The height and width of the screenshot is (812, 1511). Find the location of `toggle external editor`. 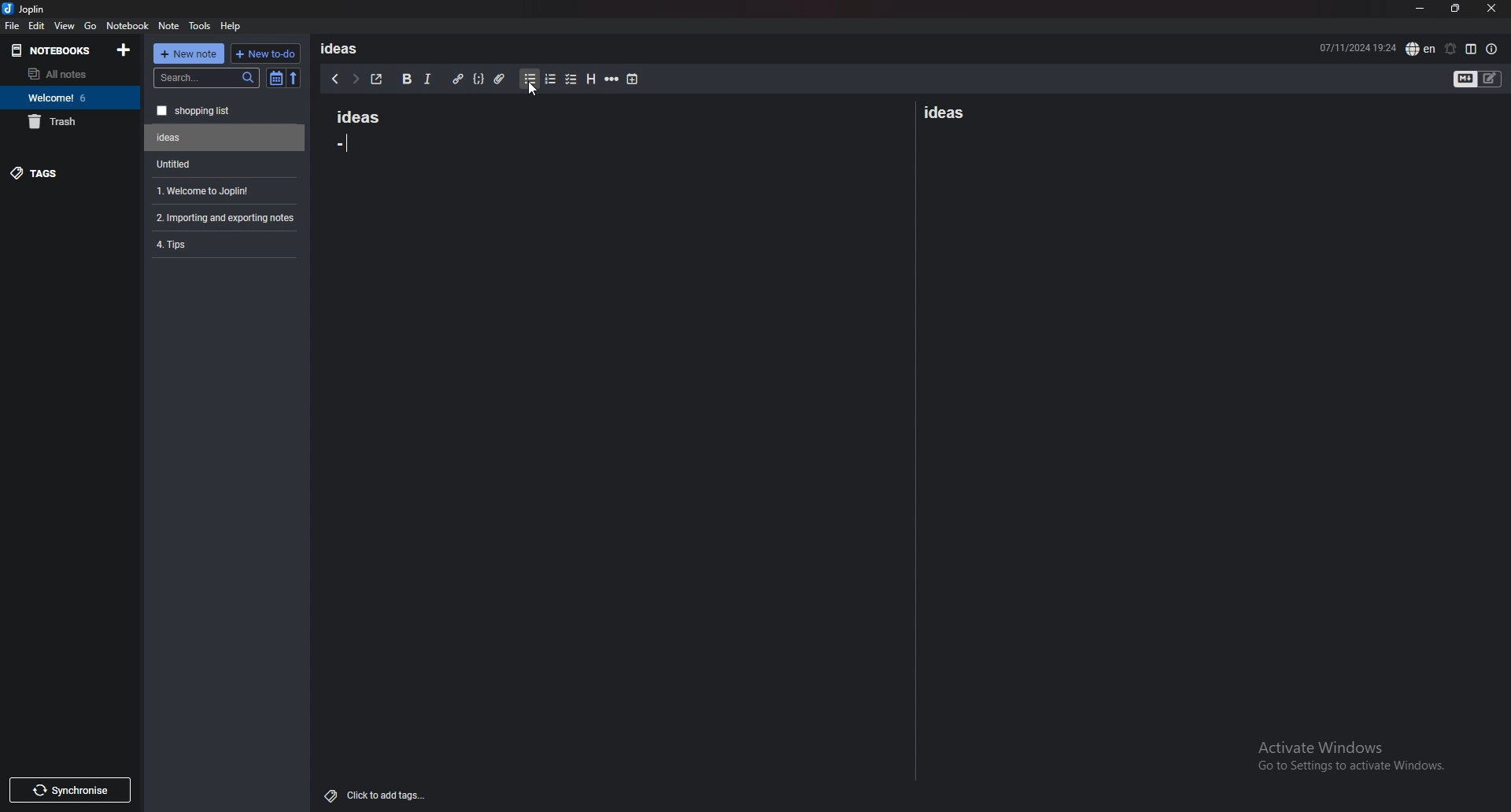

toggle external editor is located at coordinates (377, 79).